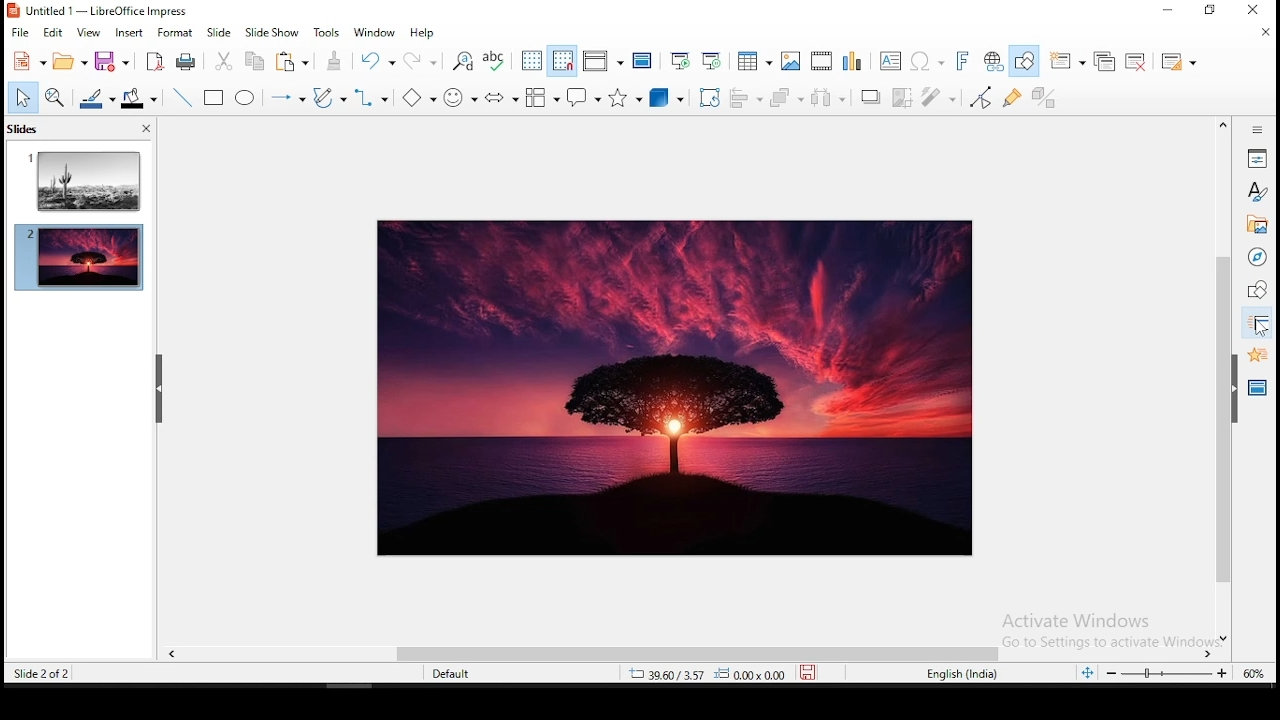 Image resolution: width=1280 pixels, height=720 pixels. What do you see at coordinates (856, 61) in the screenshot?
I see `charts` at bounding box center [856, 61].